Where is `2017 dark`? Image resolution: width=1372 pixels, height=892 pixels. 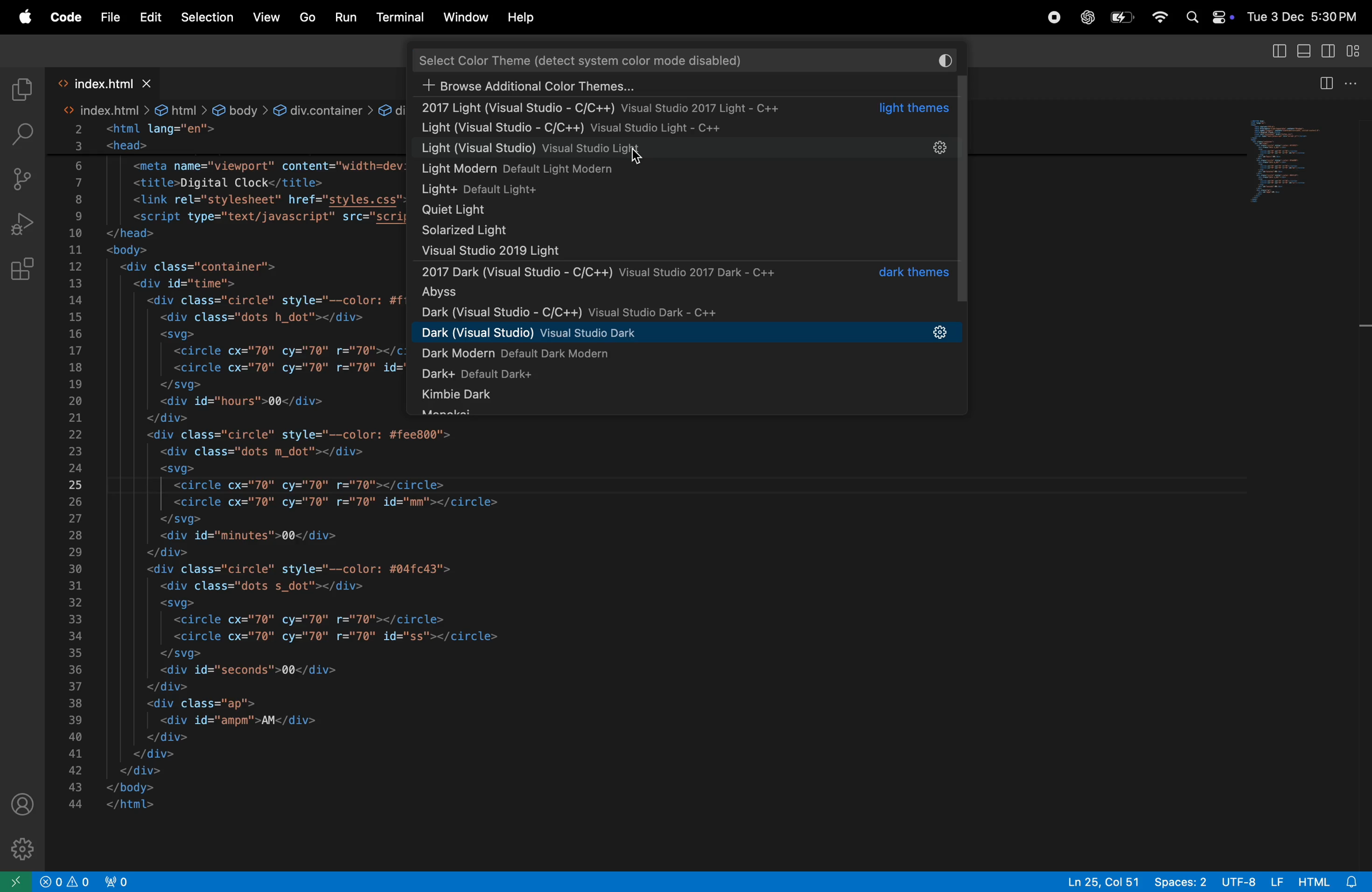
2017 dark is located at coordinates (689, 273).